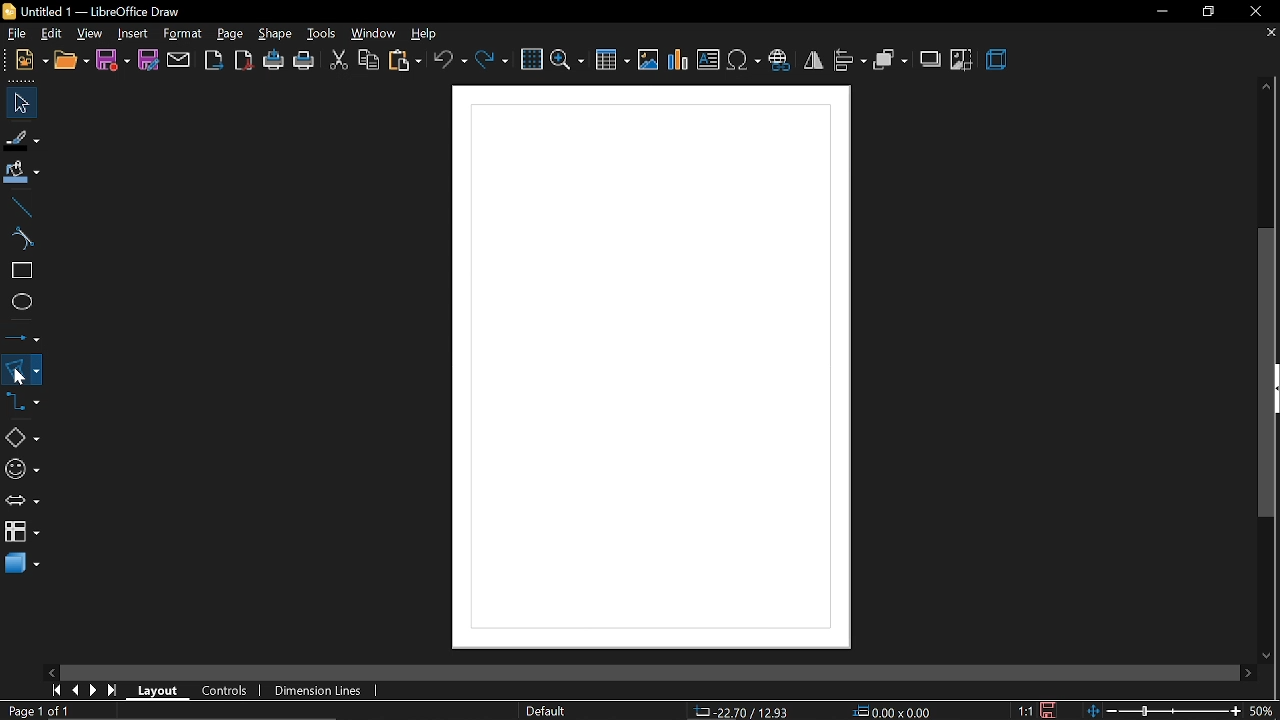 The image size is (1280, 720). What do you see at coordinates (148, 61) in the screenshot?
I see `save as` at bounding box center [148, 61].